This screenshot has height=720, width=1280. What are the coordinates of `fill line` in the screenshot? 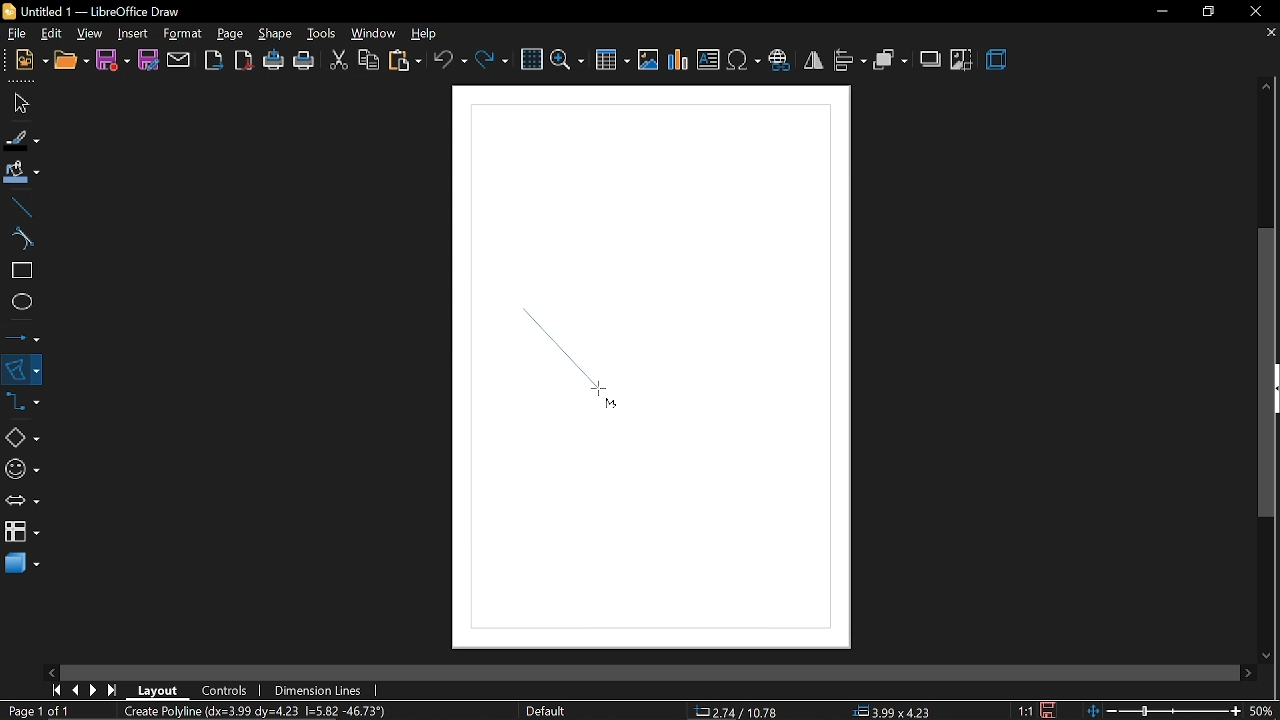 It's located at (20, 138).